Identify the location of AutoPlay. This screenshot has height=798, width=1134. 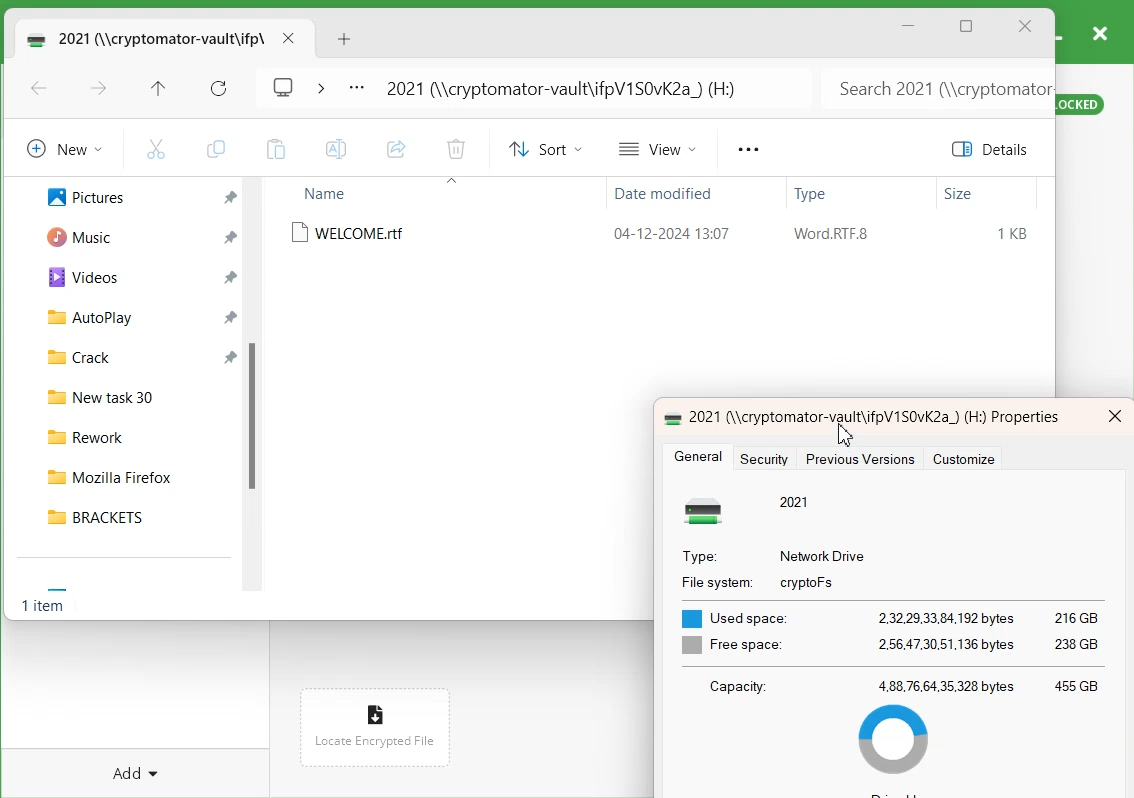
(79, 316).